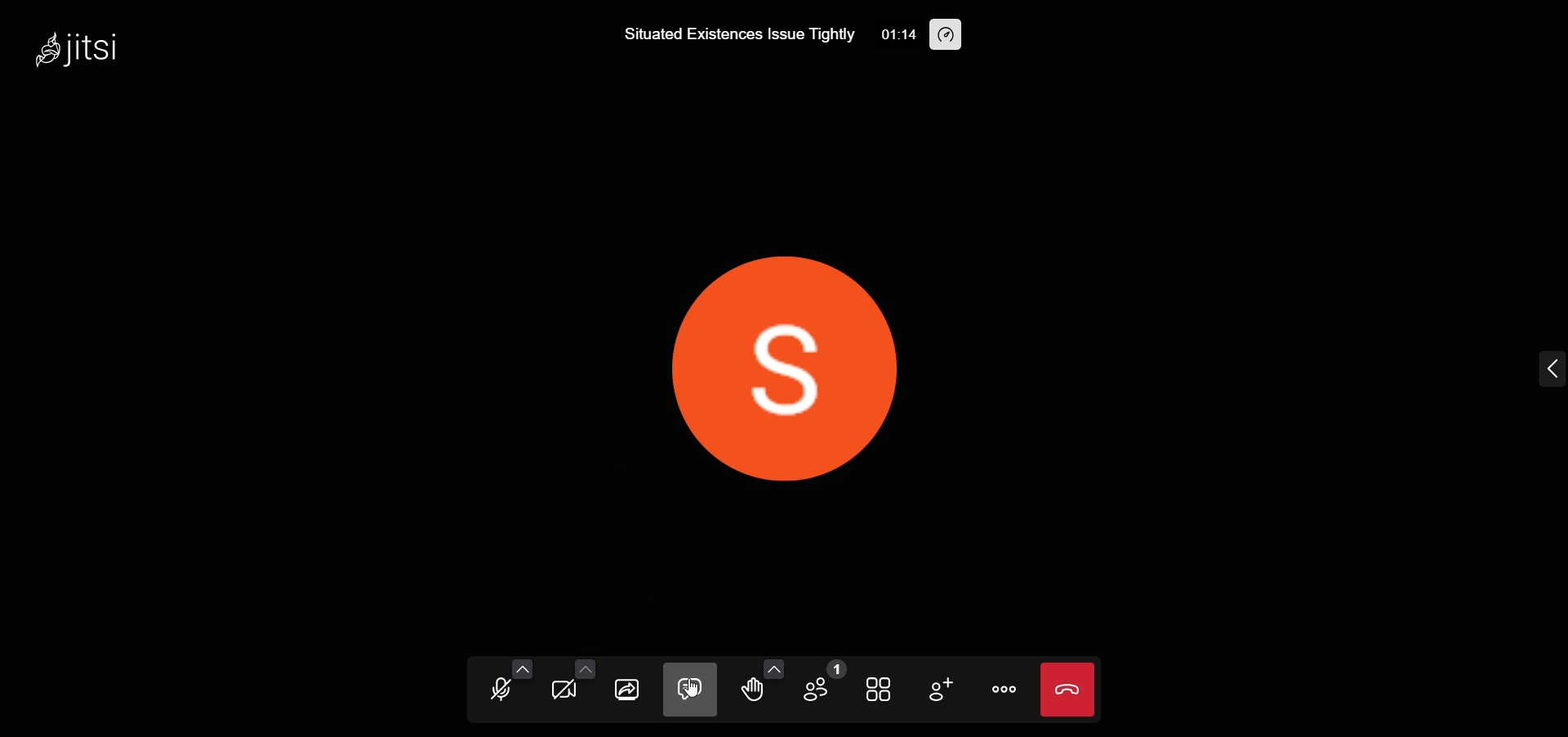 Image resolution: width=1568 pixels, height=737 pixels. Describe the element at coordinates (521, 668) in the screenshot. I see `more audio option` at that location.